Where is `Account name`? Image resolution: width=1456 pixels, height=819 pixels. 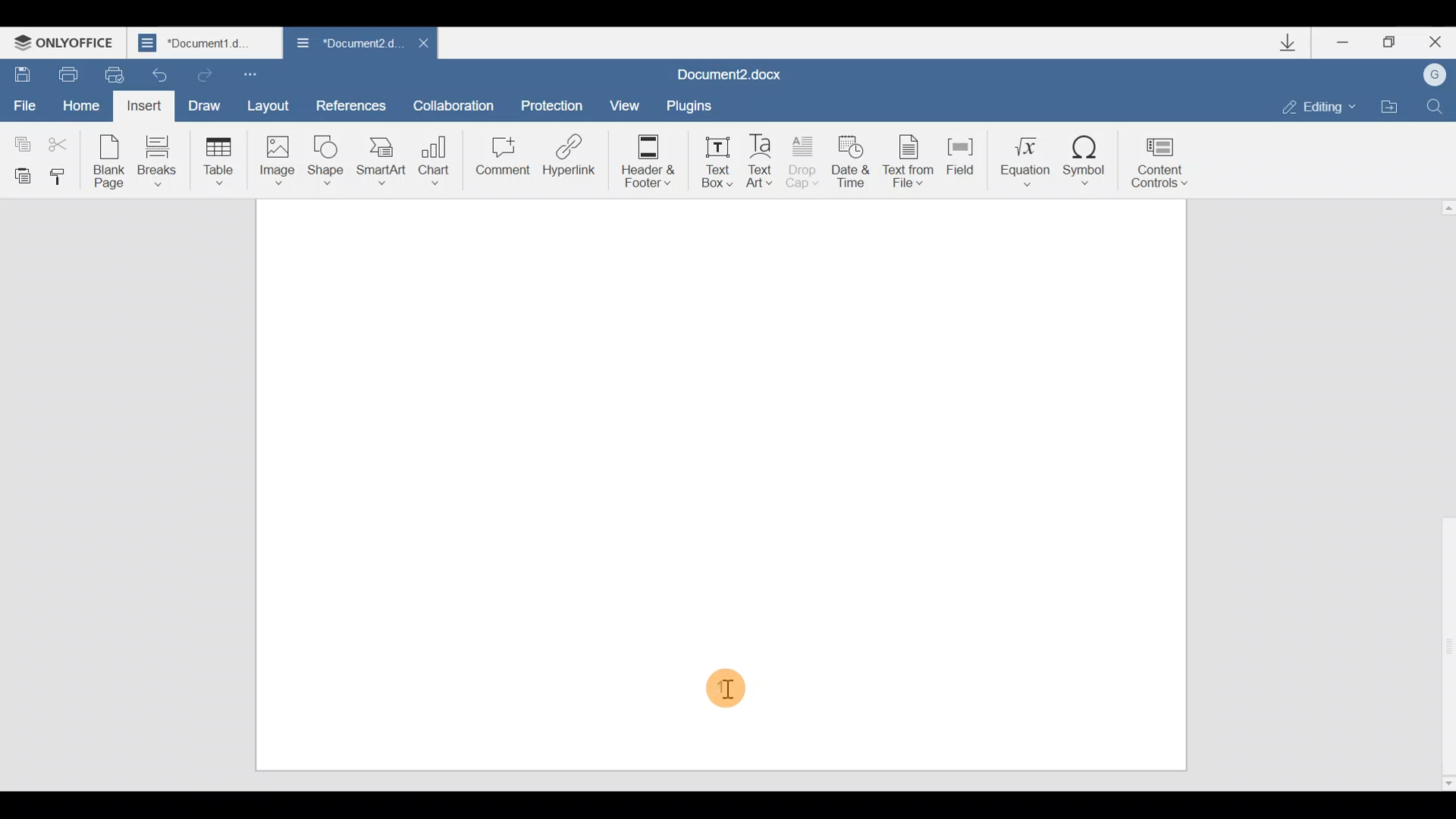 Account name is located at coordinates (1437, 75).